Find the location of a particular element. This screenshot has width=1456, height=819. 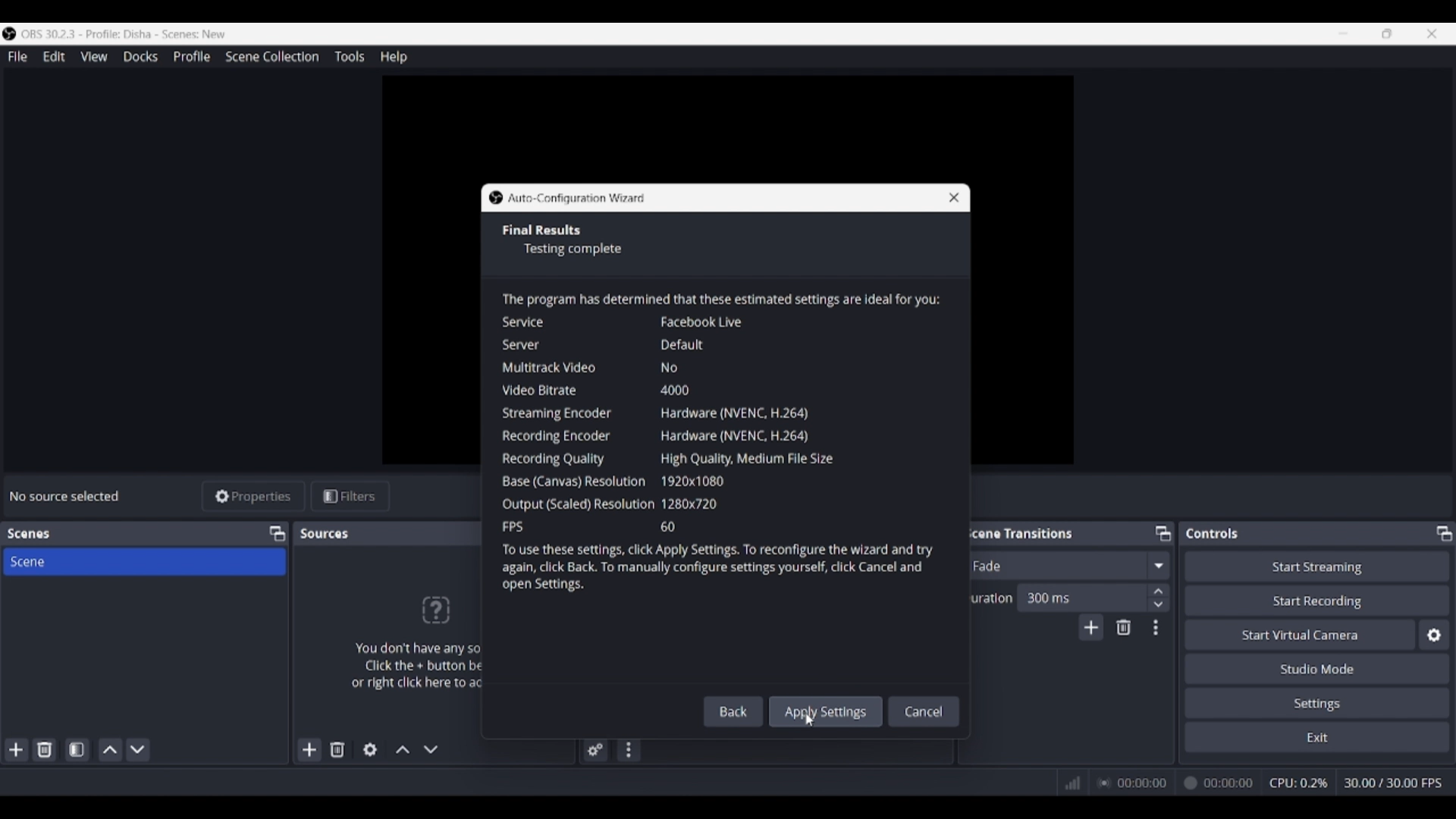

Remove configurble transition is located at coordinates (1124, 627).